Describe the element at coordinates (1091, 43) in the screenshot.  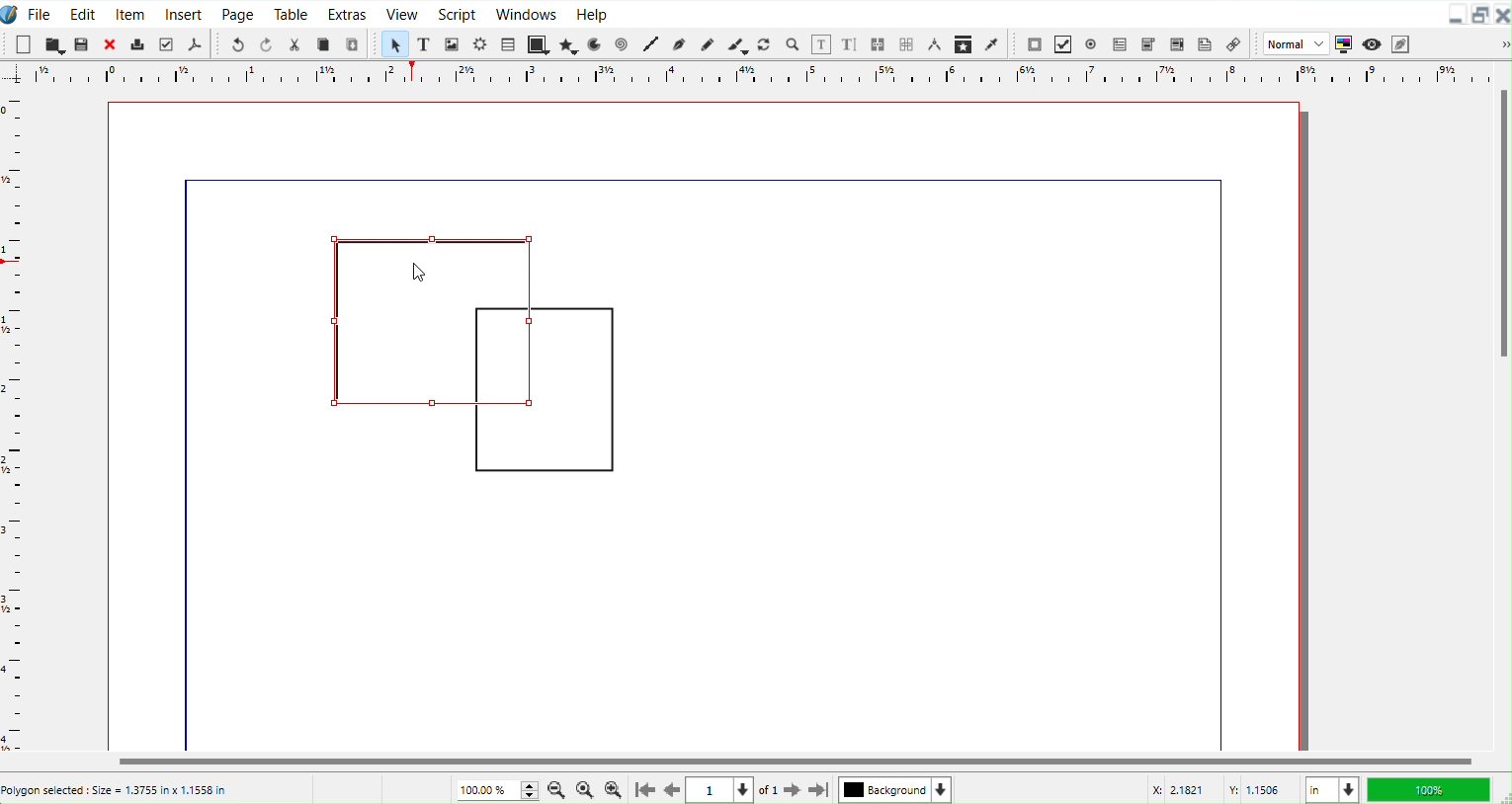
I see `PDF Radio Button` at that location.